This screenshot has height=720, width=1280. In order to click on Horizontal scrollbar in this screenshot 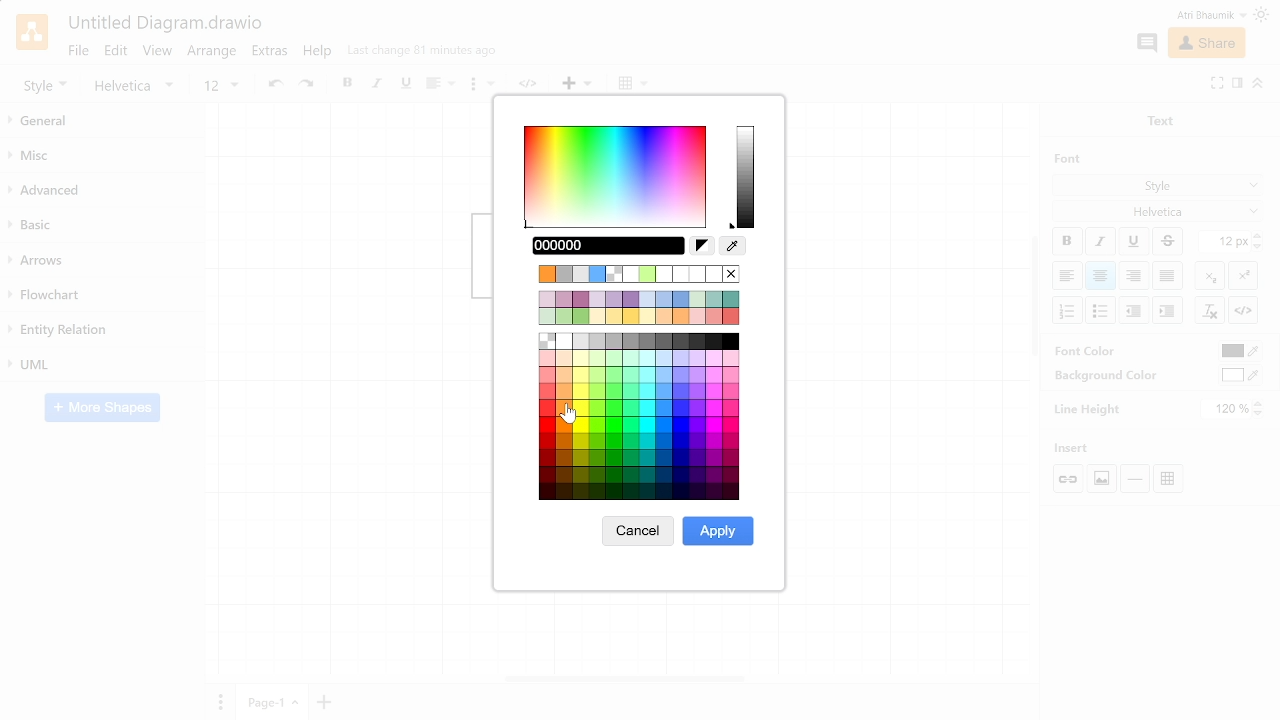, I will do `click(626, 677)`.